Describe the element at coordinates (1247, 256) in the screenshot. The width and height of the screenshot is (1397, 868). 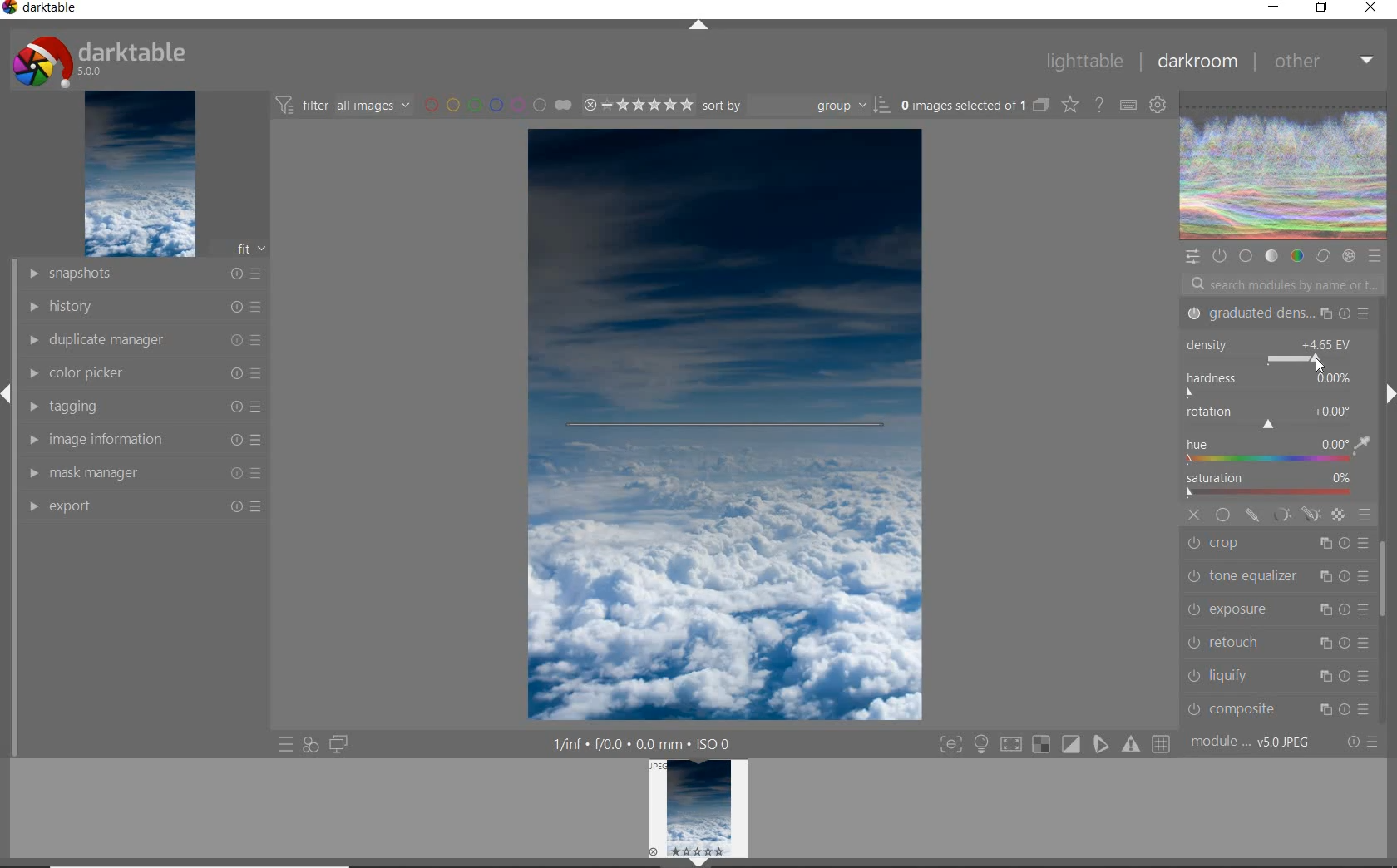
I see `BASE` at that location.